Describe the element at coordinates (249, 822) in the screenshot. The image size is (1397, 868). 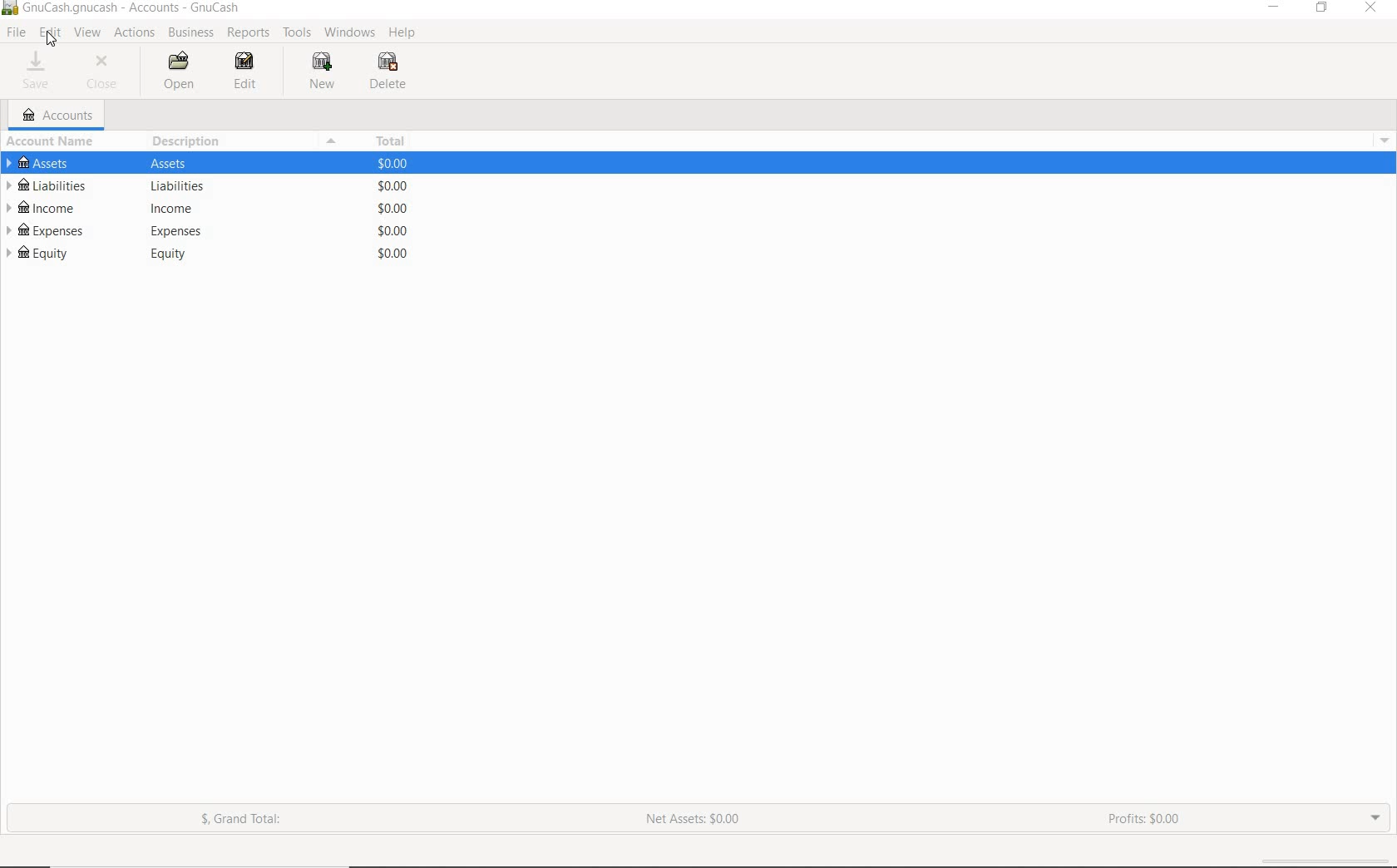
I see `GRAND TOTAL` at that location.